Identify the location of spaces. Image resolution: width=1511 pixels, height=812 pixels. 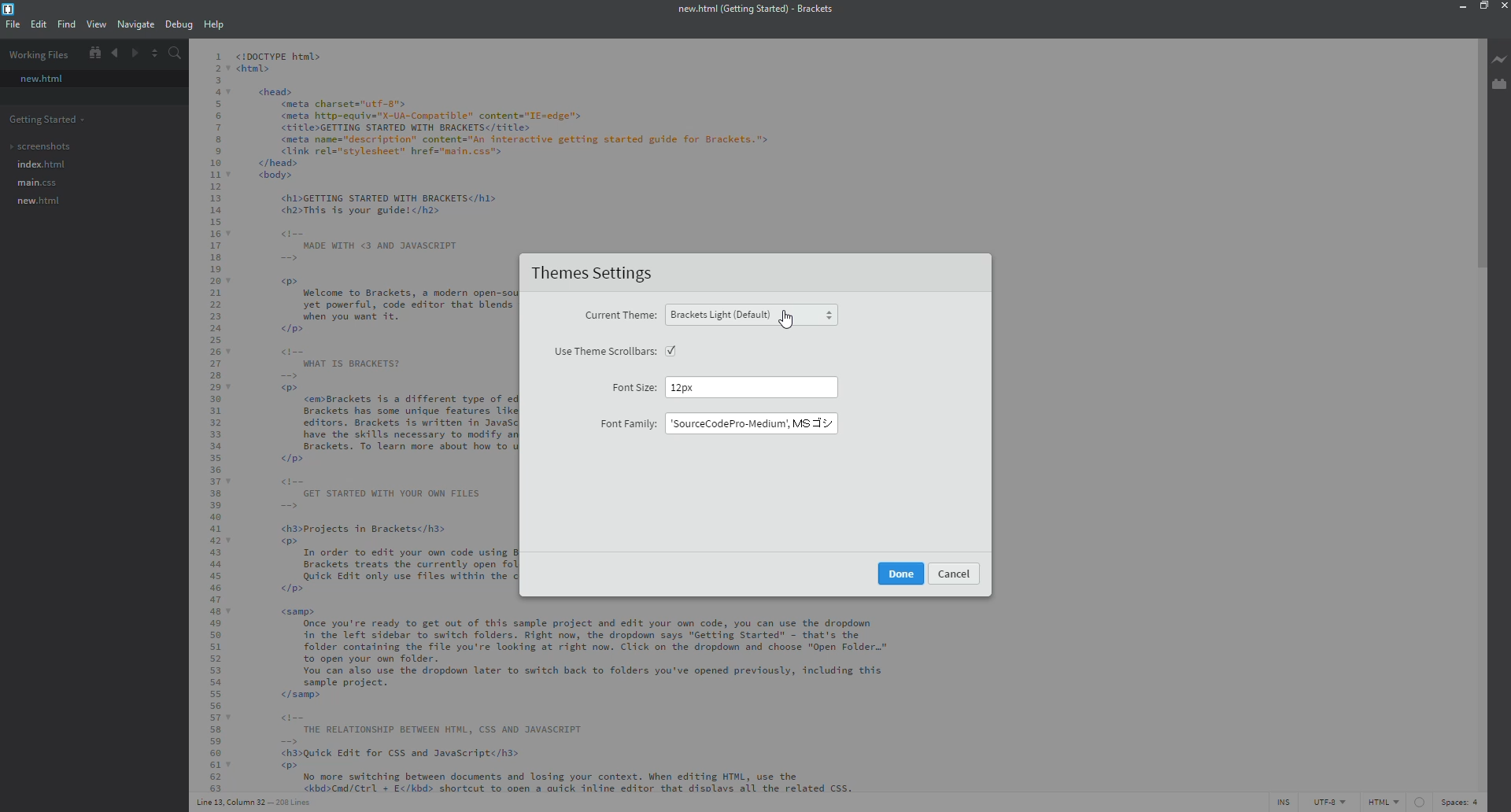
(1457, 802).